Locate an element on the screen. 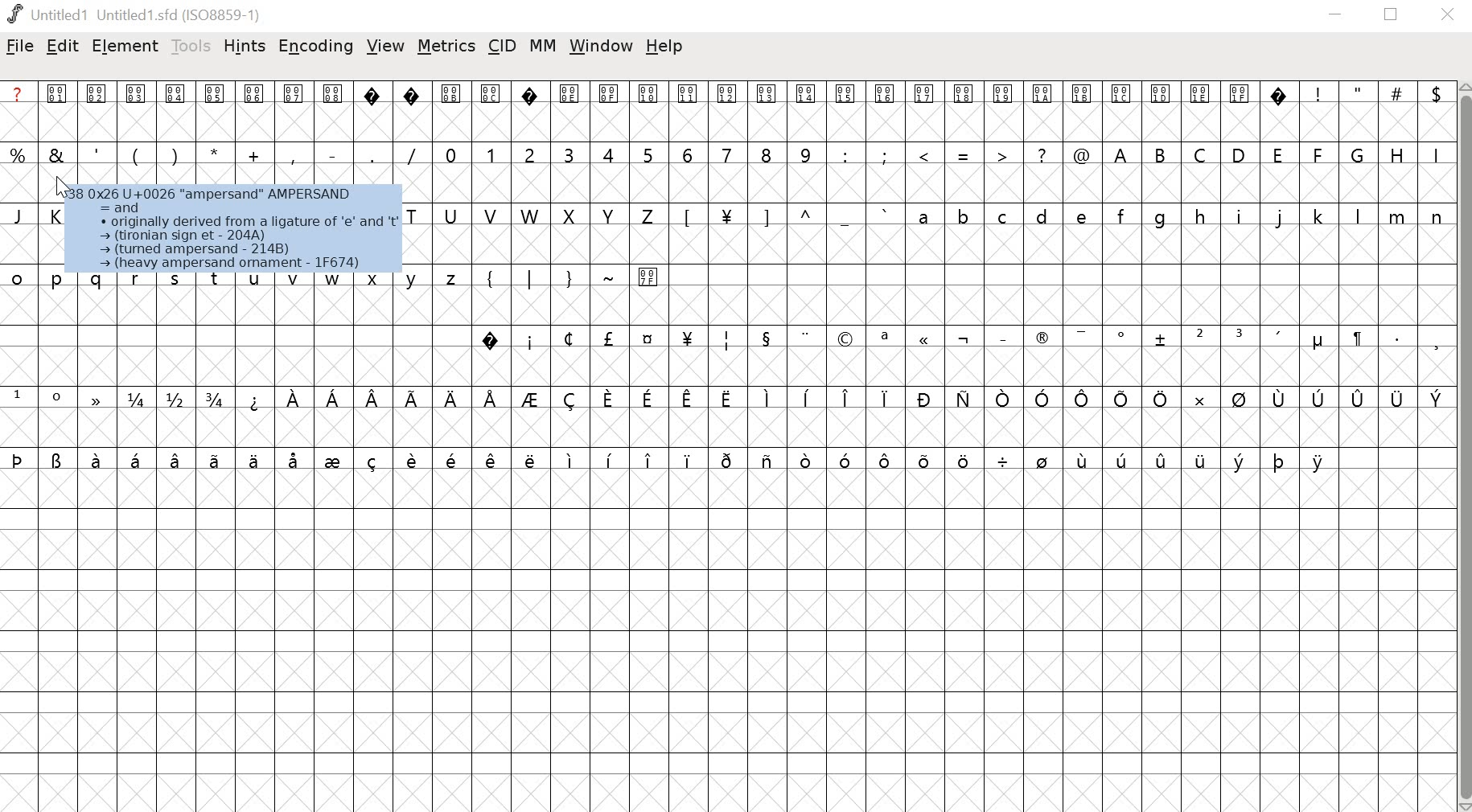 This screenshot has height=812, width=1472. symbol is located at coordinates (924, 340).